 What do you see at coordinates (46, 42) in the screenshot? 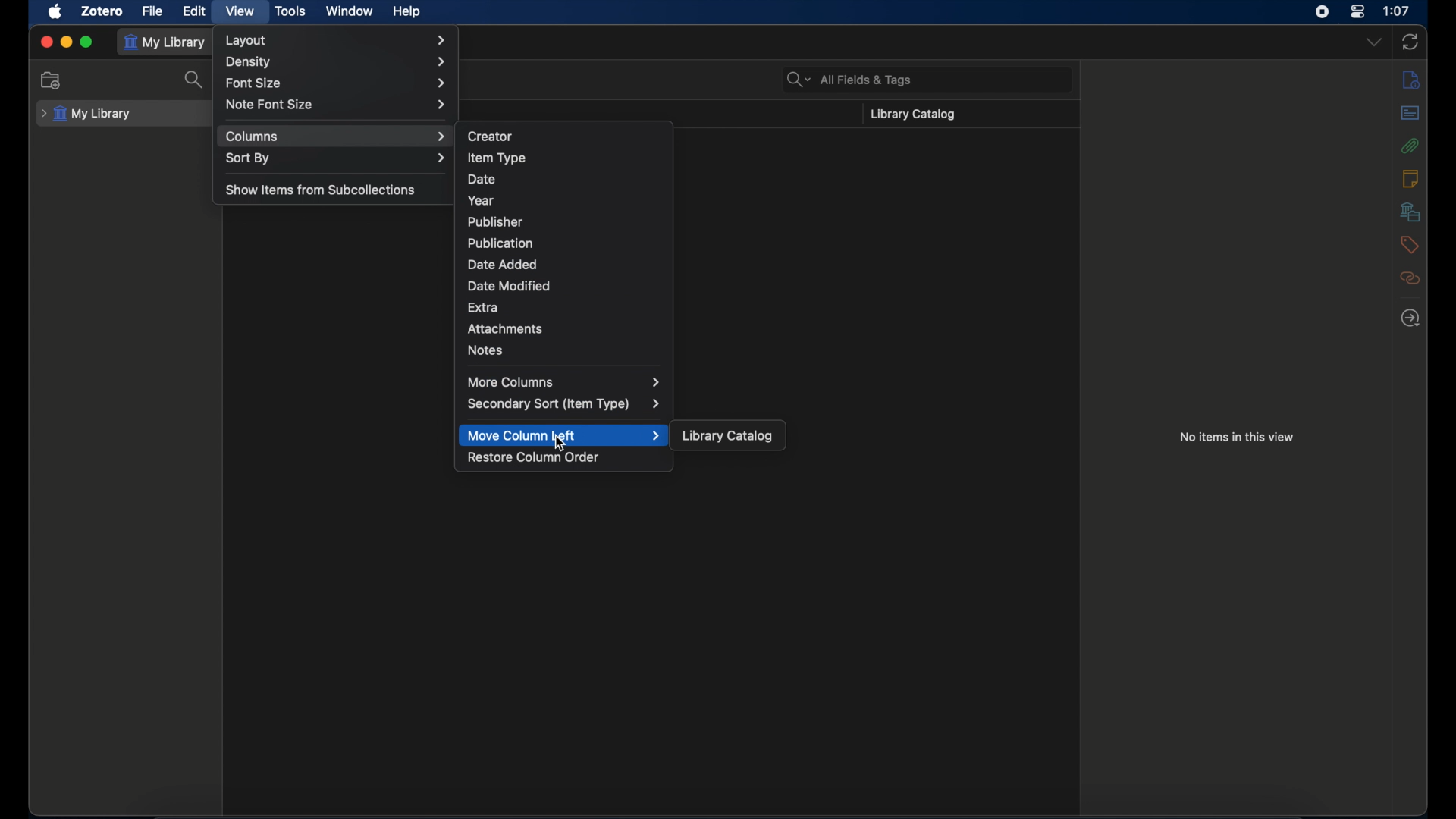
I see `close` at bounding box center [46, 42].